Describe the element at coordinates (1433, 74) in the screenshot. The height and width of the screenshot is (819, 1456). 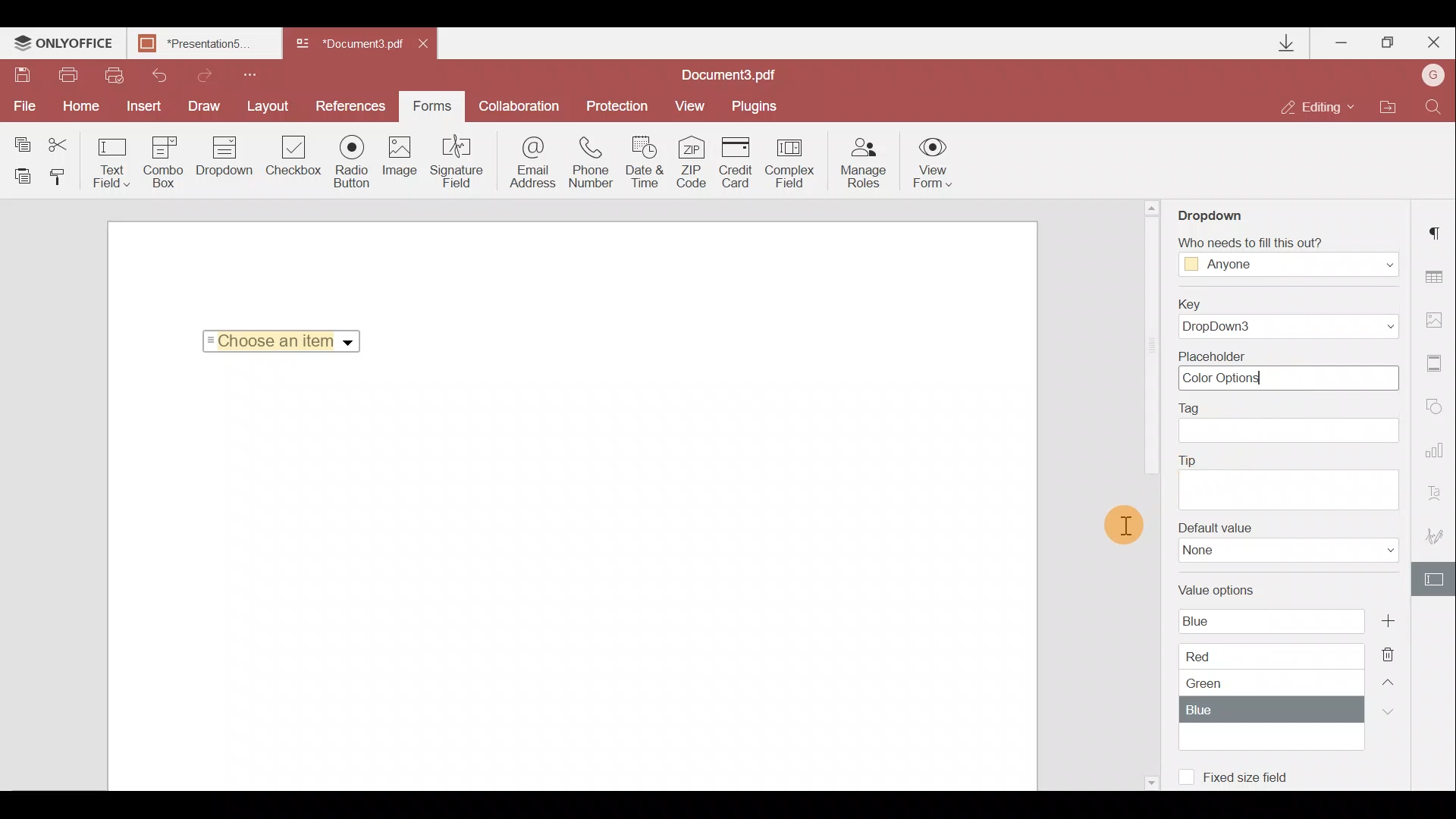
I see `Account name` at that location.